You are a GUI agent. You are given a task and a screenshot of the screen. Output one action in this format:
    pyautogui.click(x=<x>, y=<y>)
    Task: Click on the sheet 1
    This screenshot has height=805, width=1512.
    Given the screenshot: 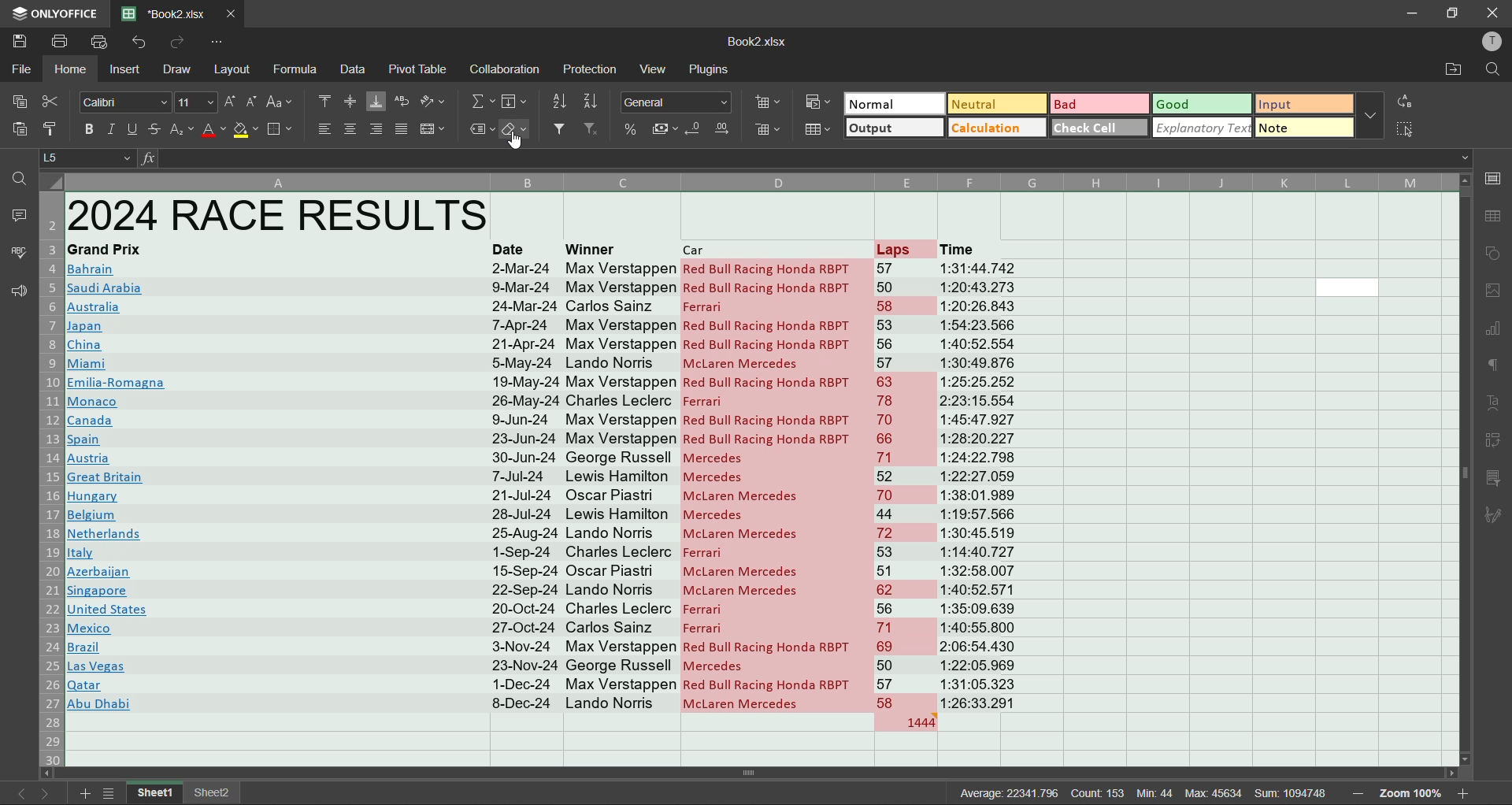 What is the action you would take?
    pyautogui.click(x=156, y=793)
    